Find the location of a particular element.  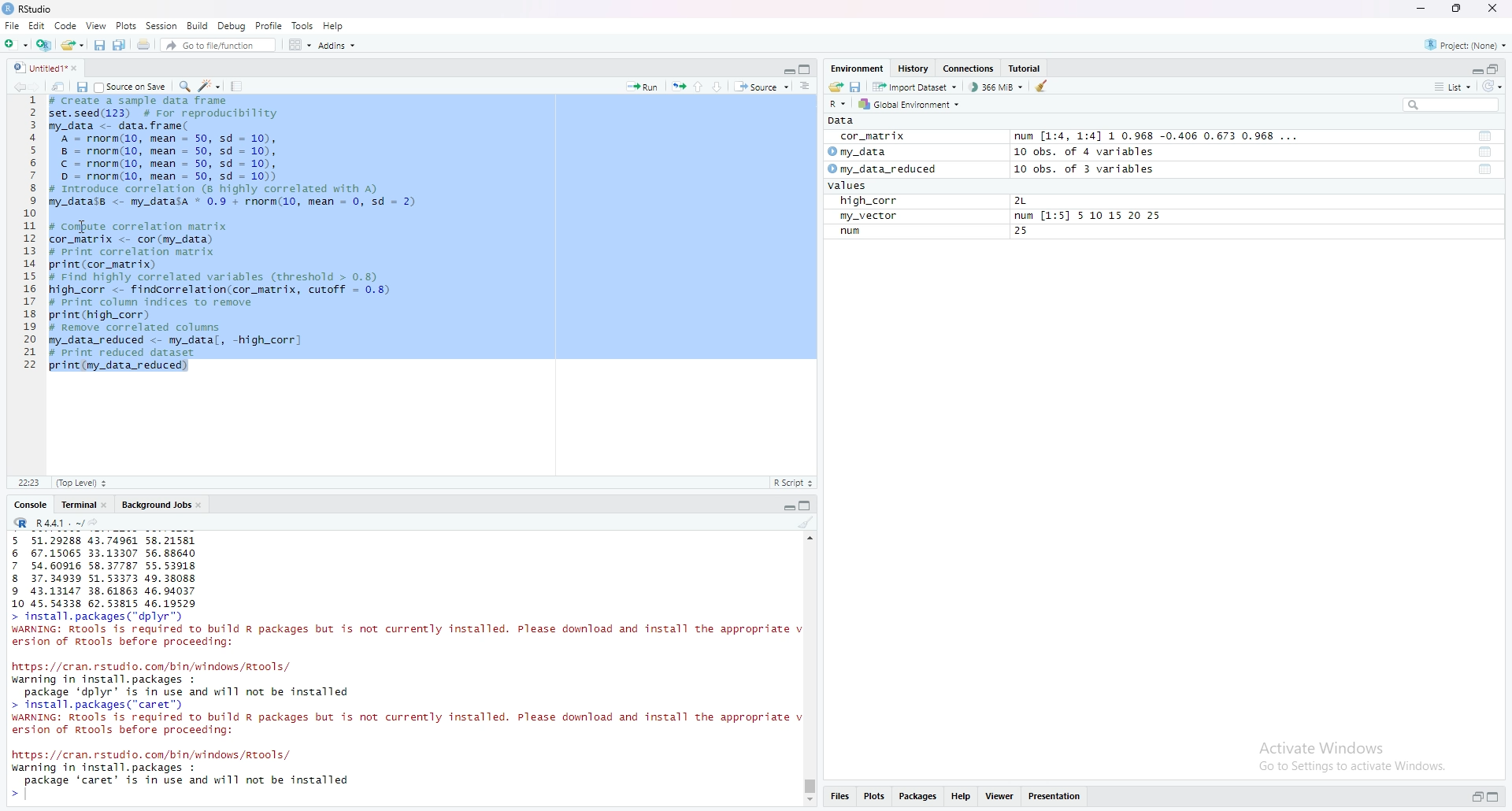

list is located at coordinates (1453, 87).